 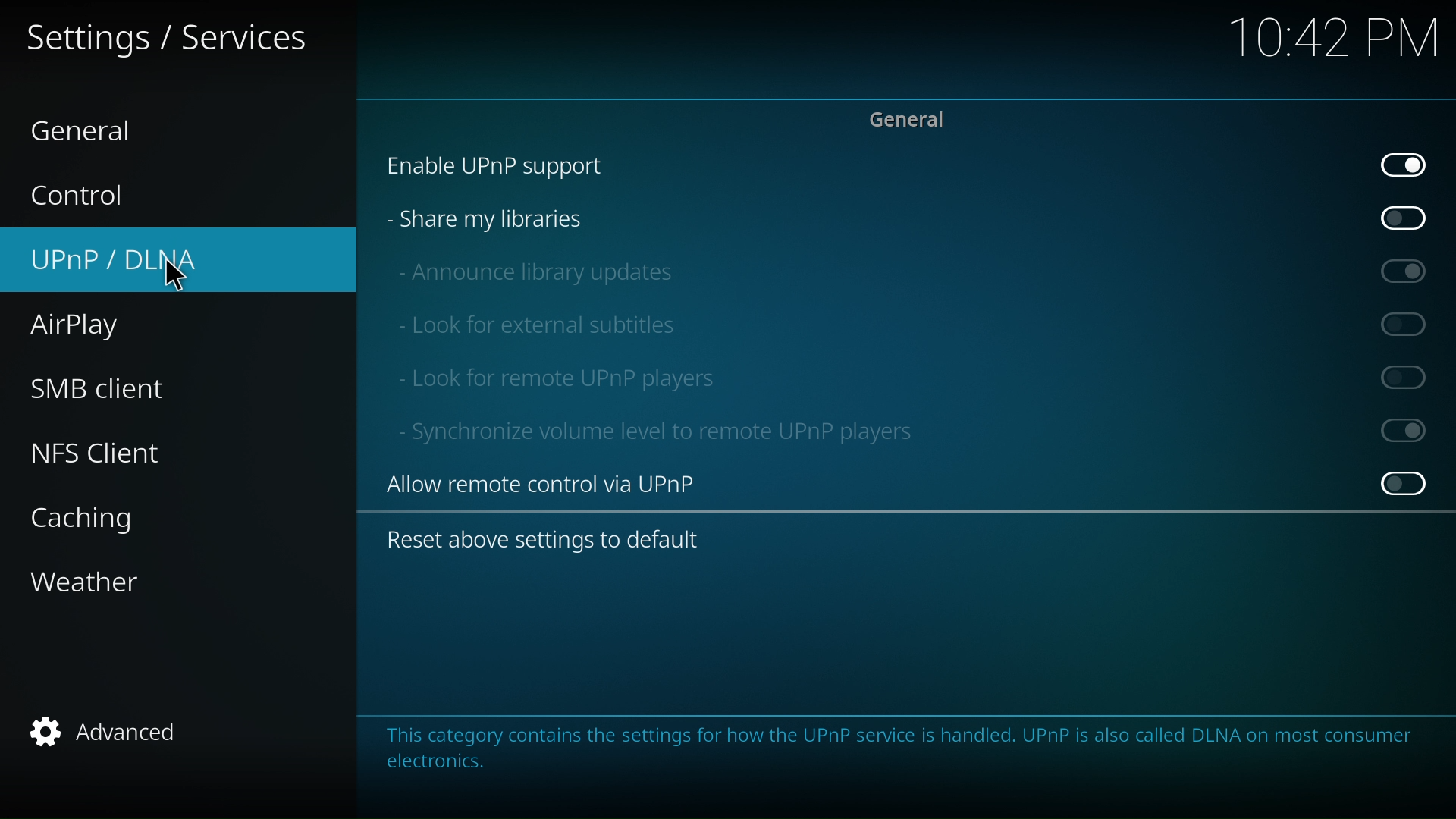 What do you see at coordinates (912, 326) in the screenshot?
I see `look for external subtitles` at bounding box center [912, 326].